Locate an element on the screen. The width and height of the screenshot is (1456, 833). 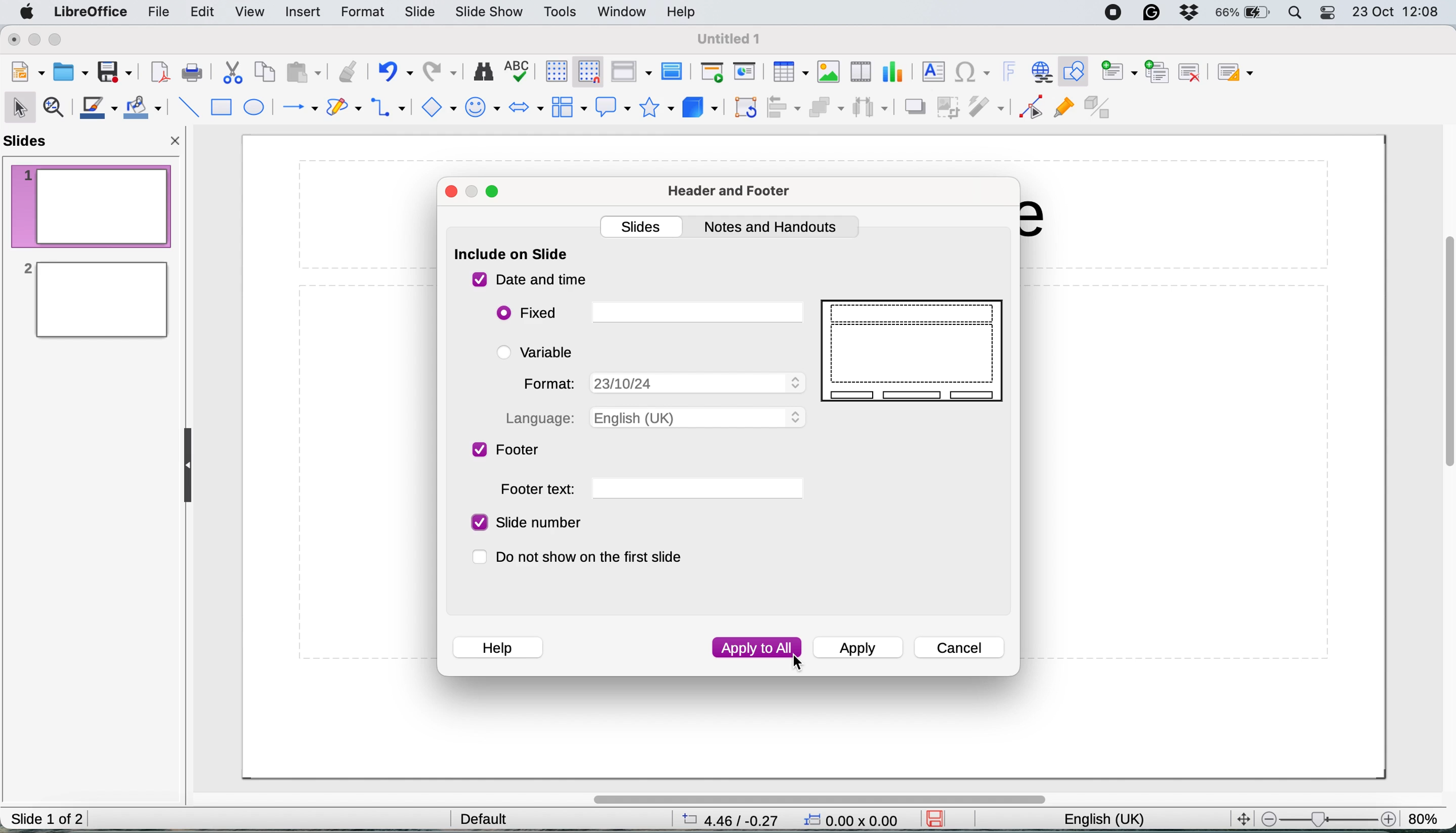
english(UK) is located at coordinates (1116, 820).